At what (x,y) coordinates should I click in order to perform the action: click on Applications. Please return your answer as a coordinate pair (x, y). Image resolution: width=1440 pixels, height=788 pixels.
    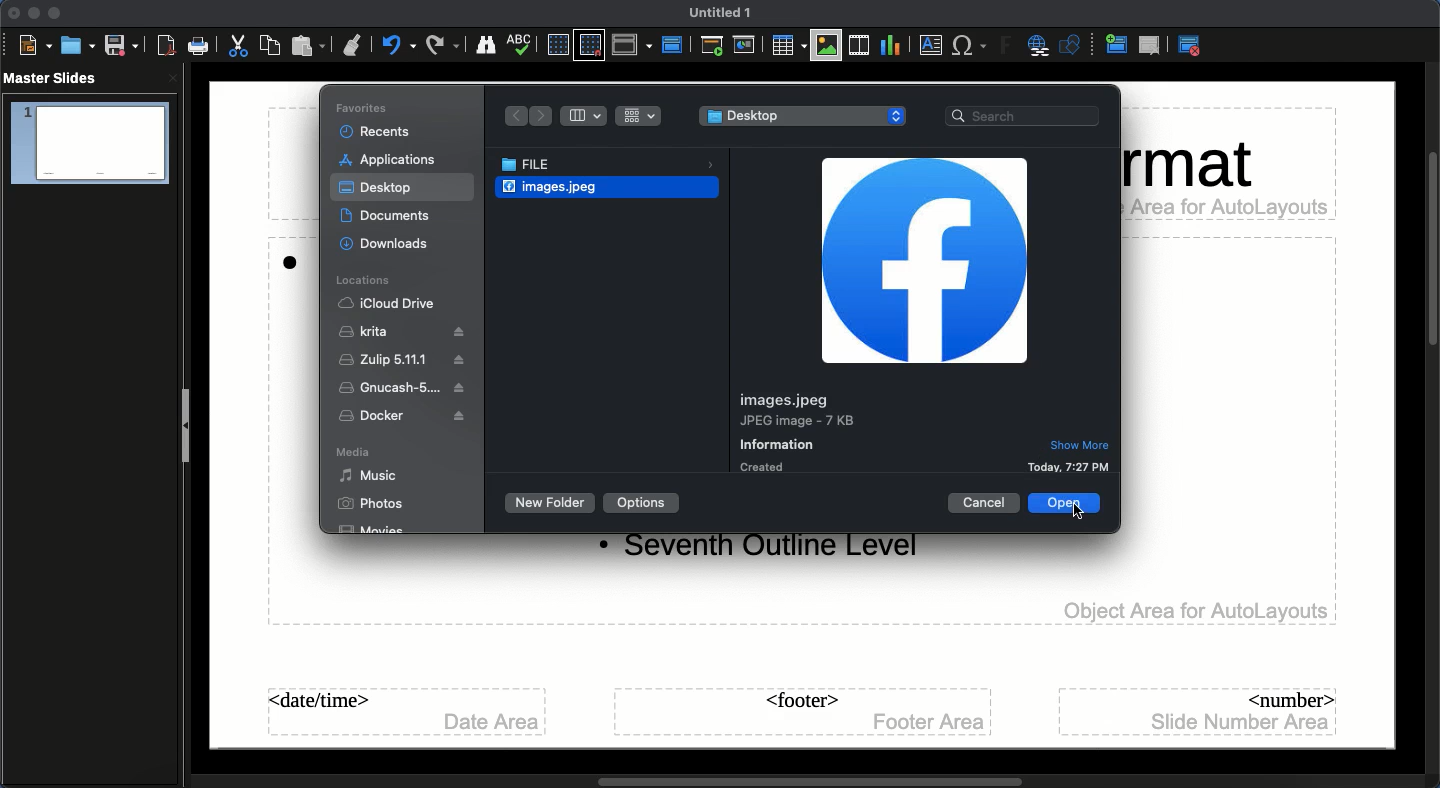
    Looking at the image, I should click on (390, 161).